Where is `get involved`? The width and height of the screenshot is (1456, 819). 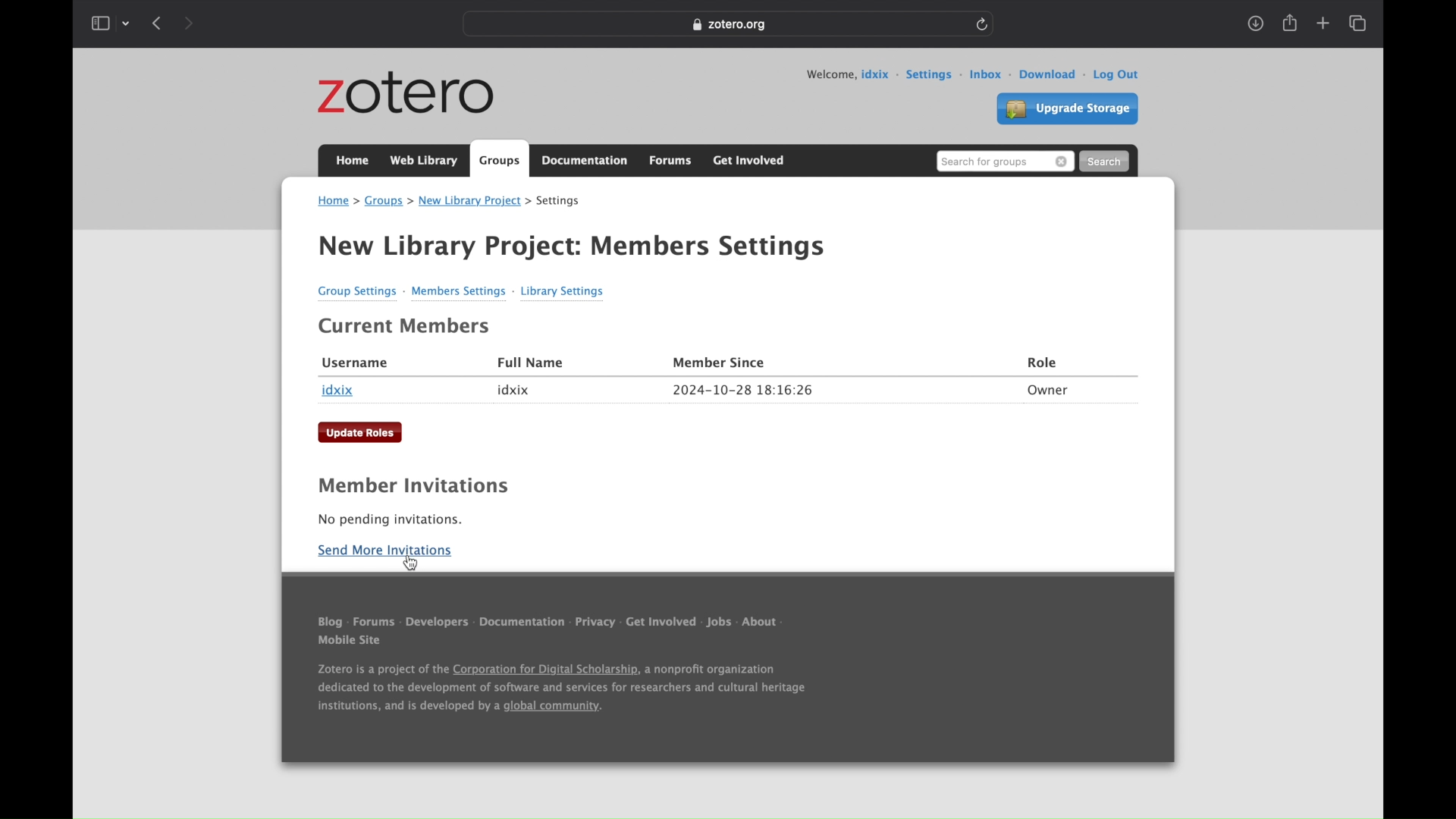
get involved is located at coordinates (748, 158).